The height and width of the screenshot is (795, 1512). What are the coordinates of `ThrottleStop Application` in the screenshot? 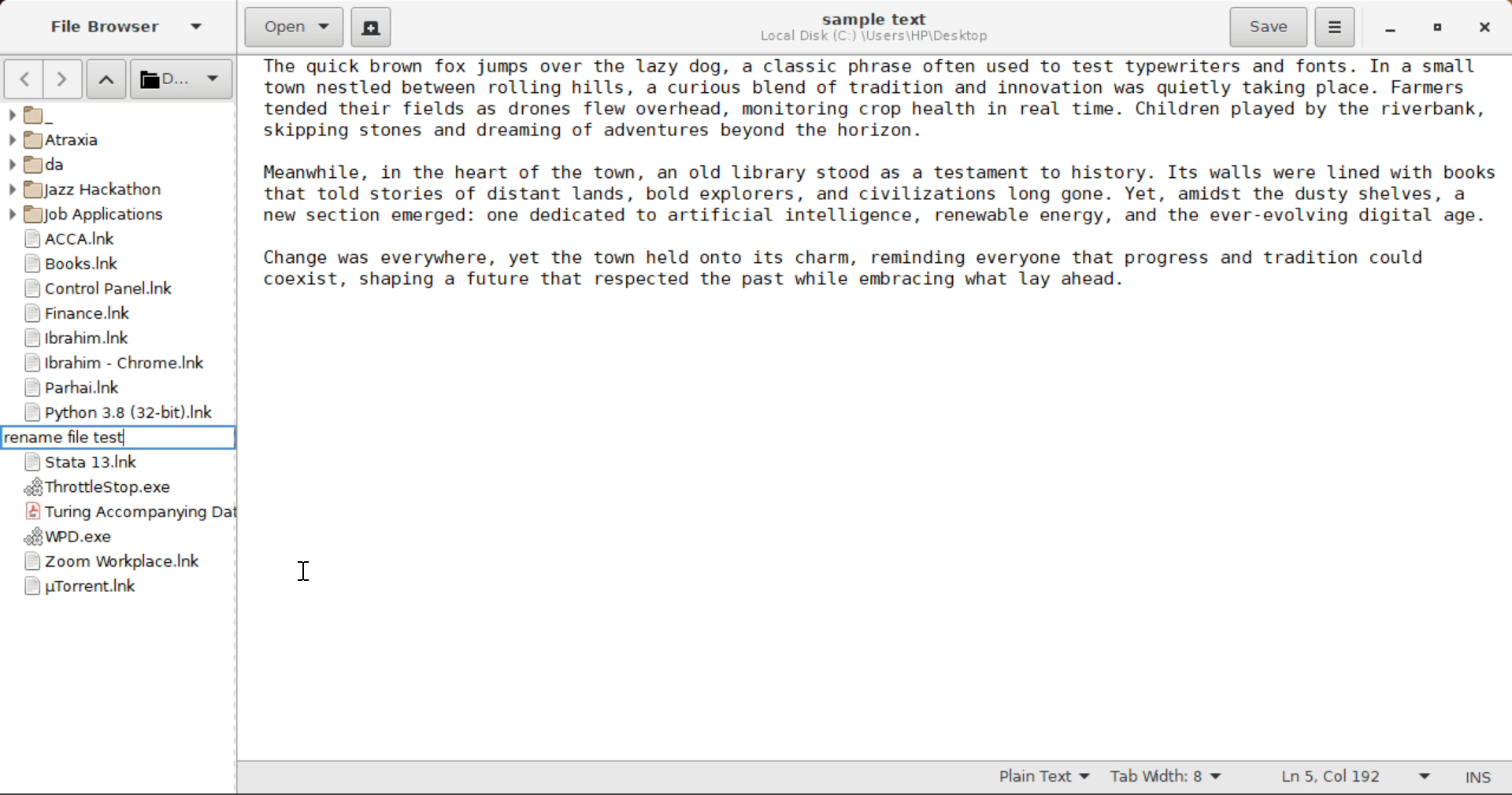 It's located at (113, 488).